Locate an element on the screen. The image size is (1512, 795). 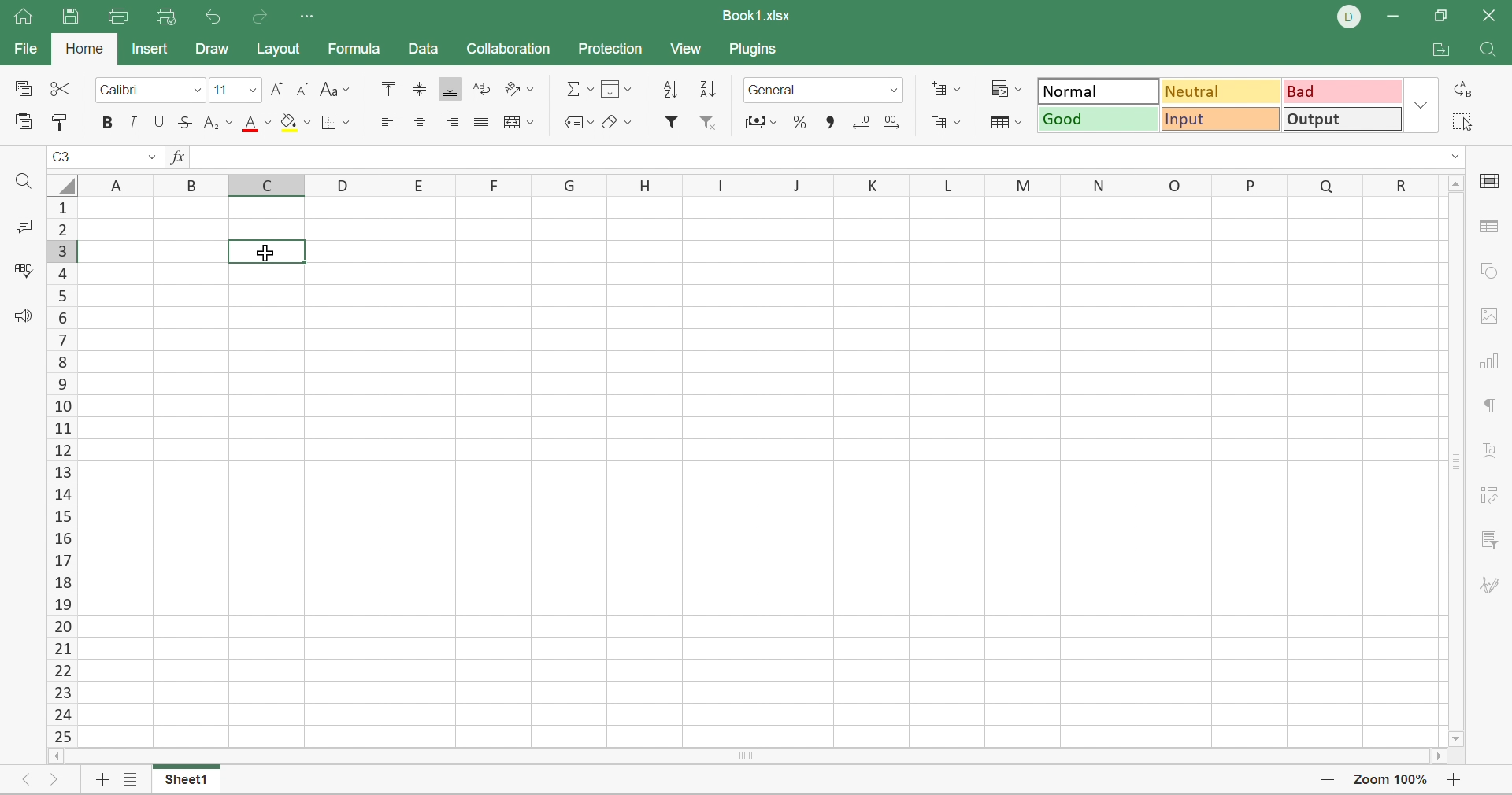
Bad is located at coordinates (1341, 91).